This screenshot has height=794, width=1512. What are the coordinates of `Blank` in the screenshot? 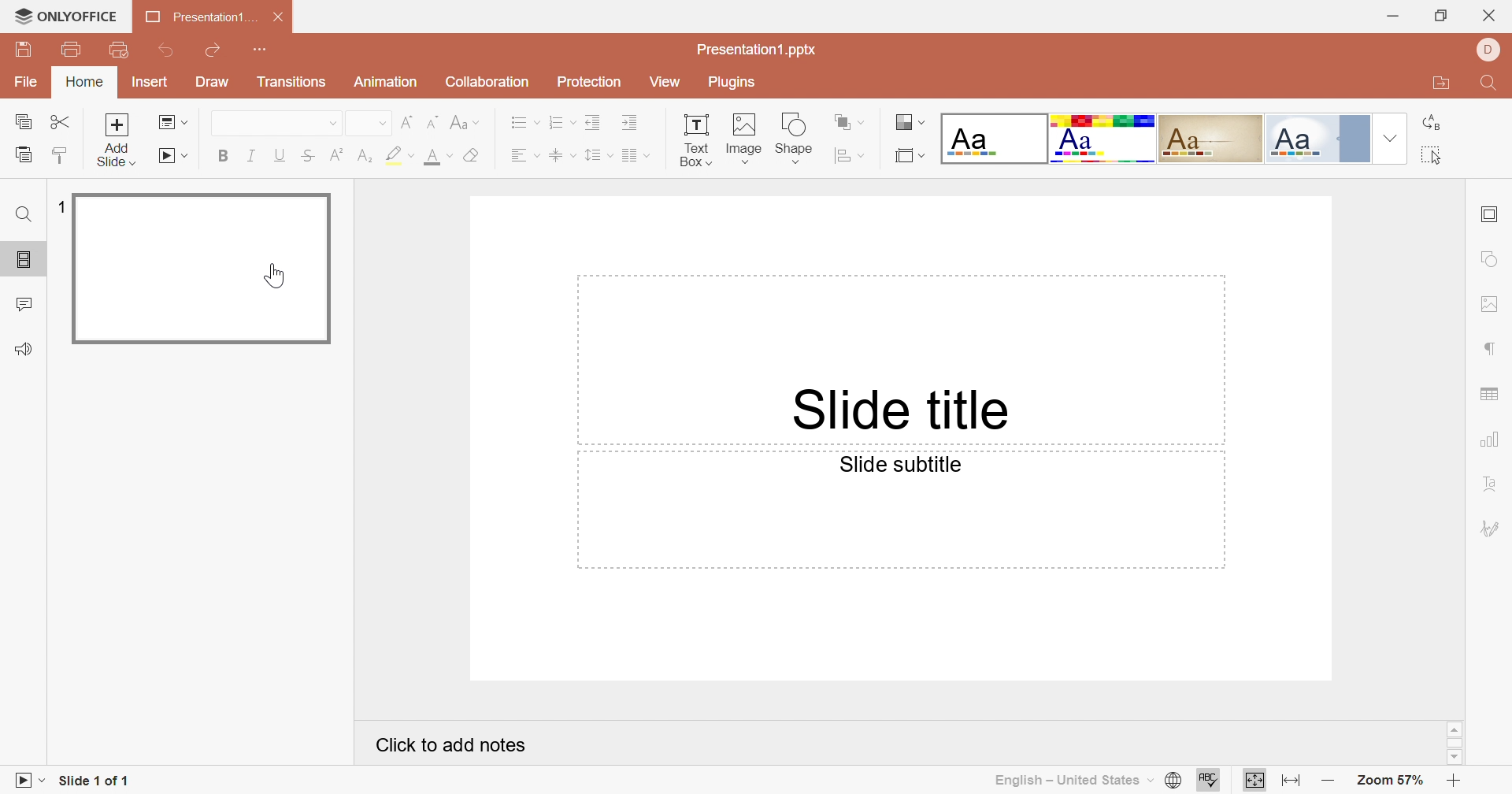 It's located at (993, 137).